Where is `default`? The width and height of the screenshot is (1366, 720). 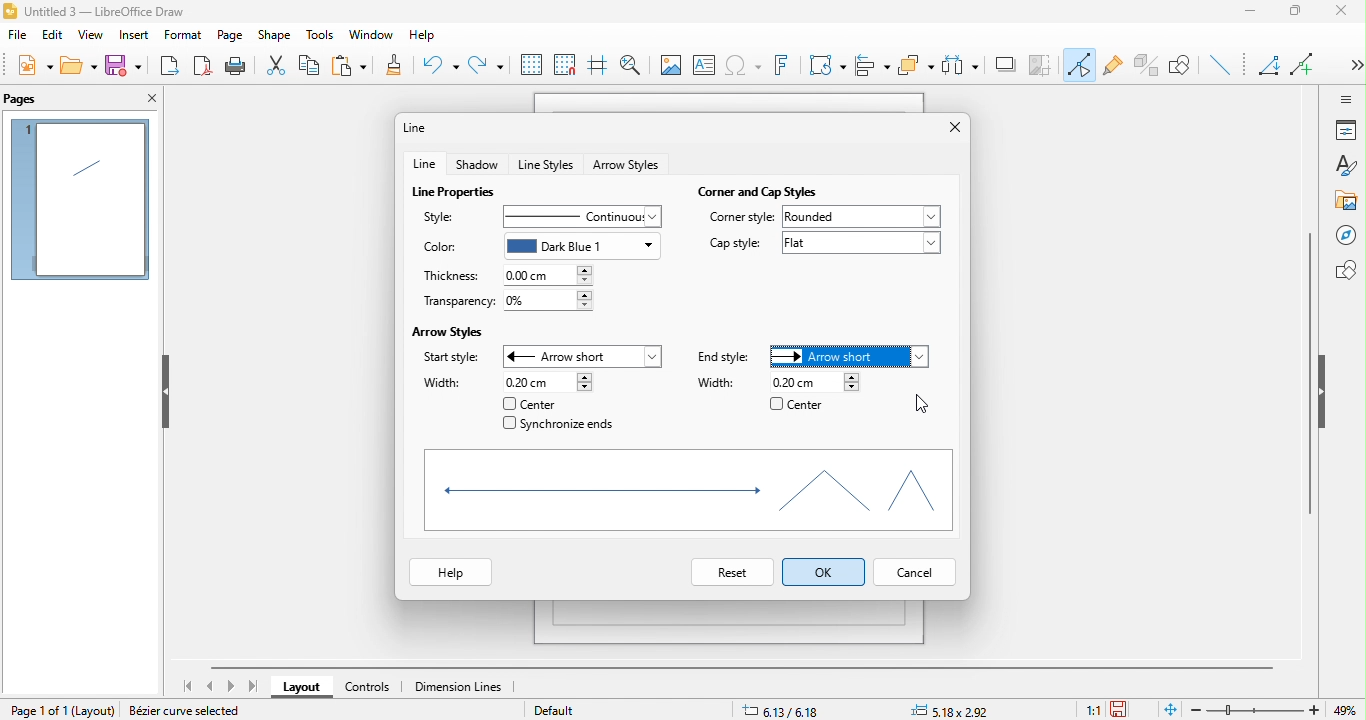
default is located at coordinates (578, 711).